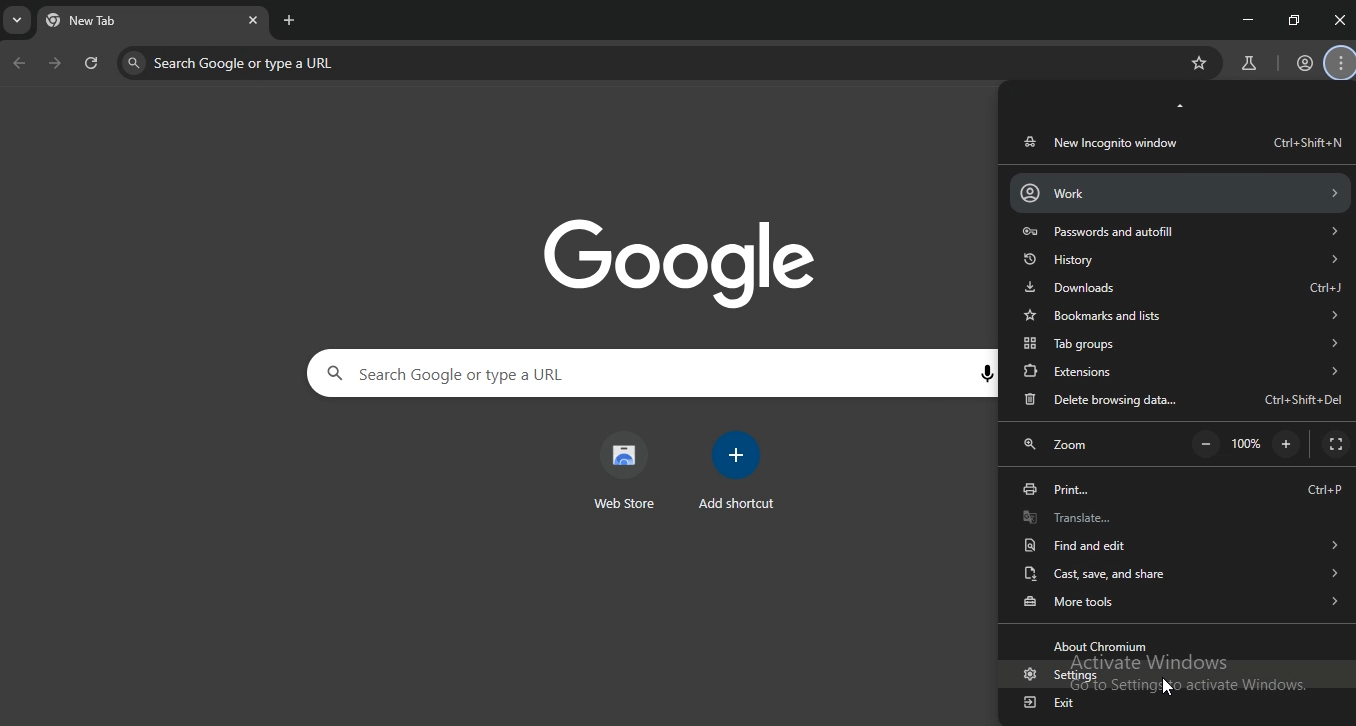 This screenshot has width=1356, height=726. What do you see at coordinates (1206, 445) in the screenshot?
I see `zoom out` at bounding box center [1206, 445].